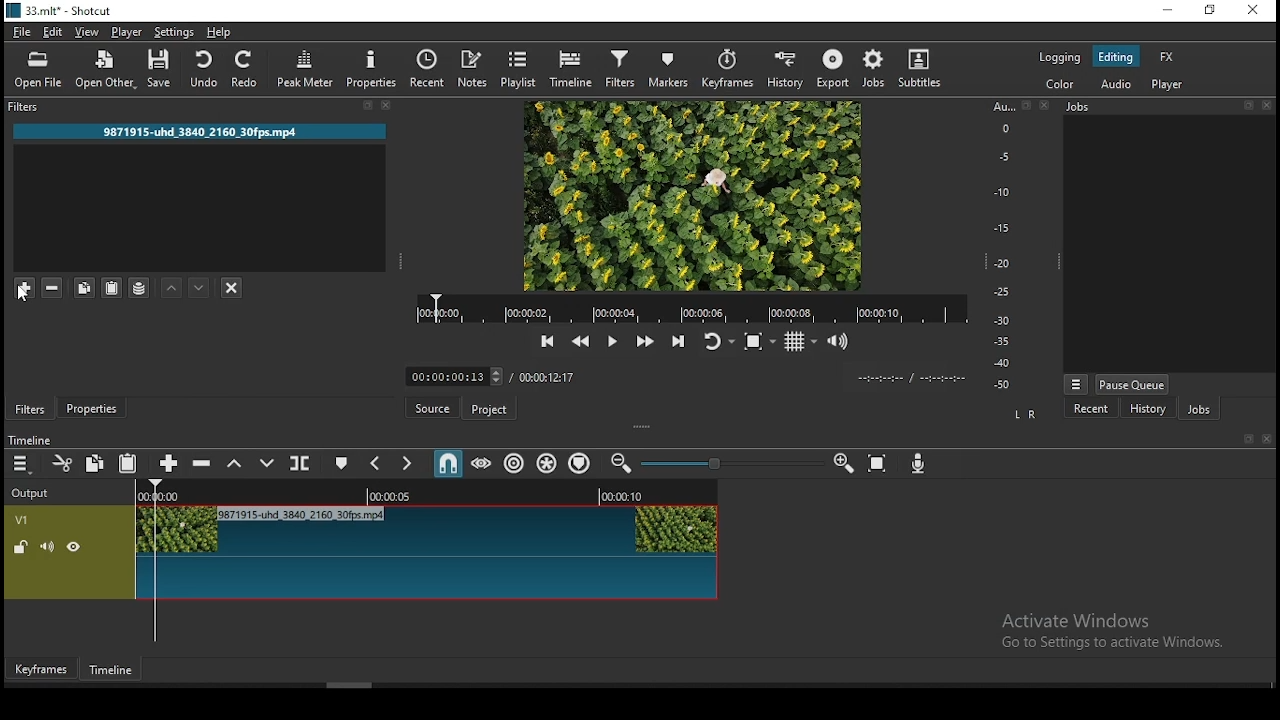 This screenshot has height=720, width=1280. I want to click on -15, so click(1003, 227).